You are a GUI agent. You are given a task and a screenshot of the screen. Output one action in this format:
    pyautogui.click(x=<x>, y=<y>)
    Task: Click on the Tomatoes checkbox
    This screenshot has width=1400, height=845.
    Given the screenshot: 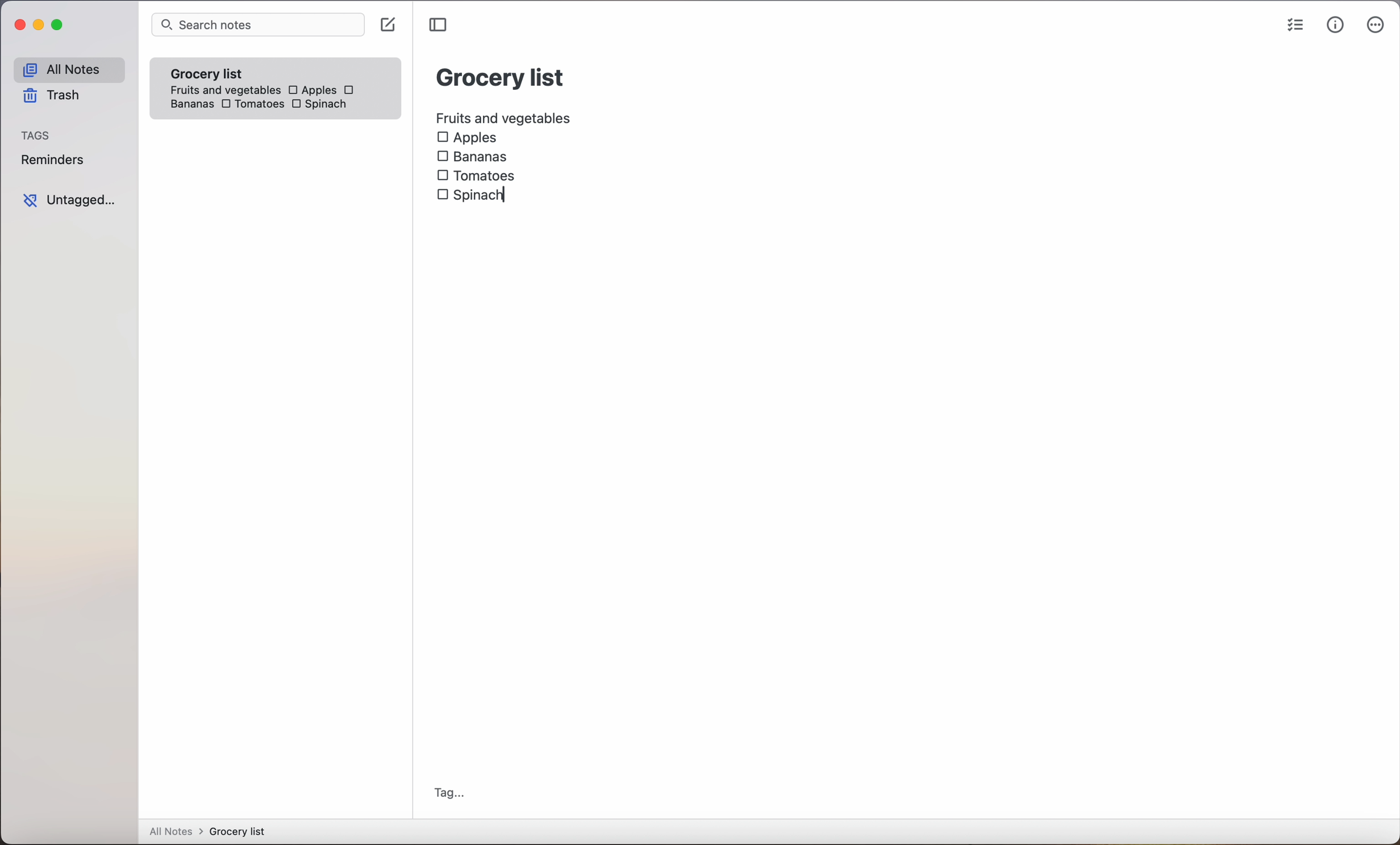 What is the action you would take?
    pyautogui.click(x=476, y=176)
    